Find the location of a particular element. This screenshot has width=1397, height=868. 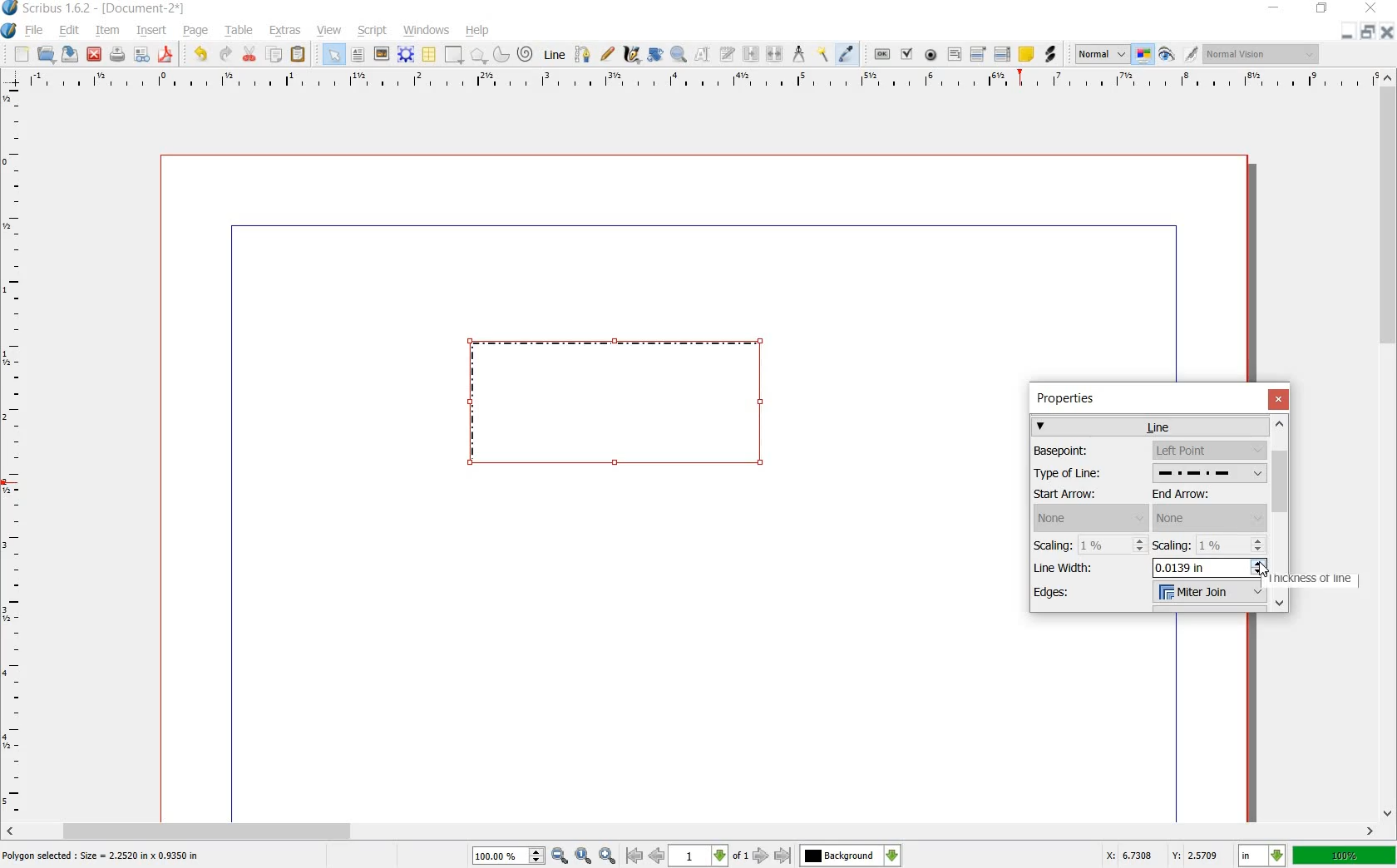

PDF CHECK BOX is located at coordinates (907, 54).